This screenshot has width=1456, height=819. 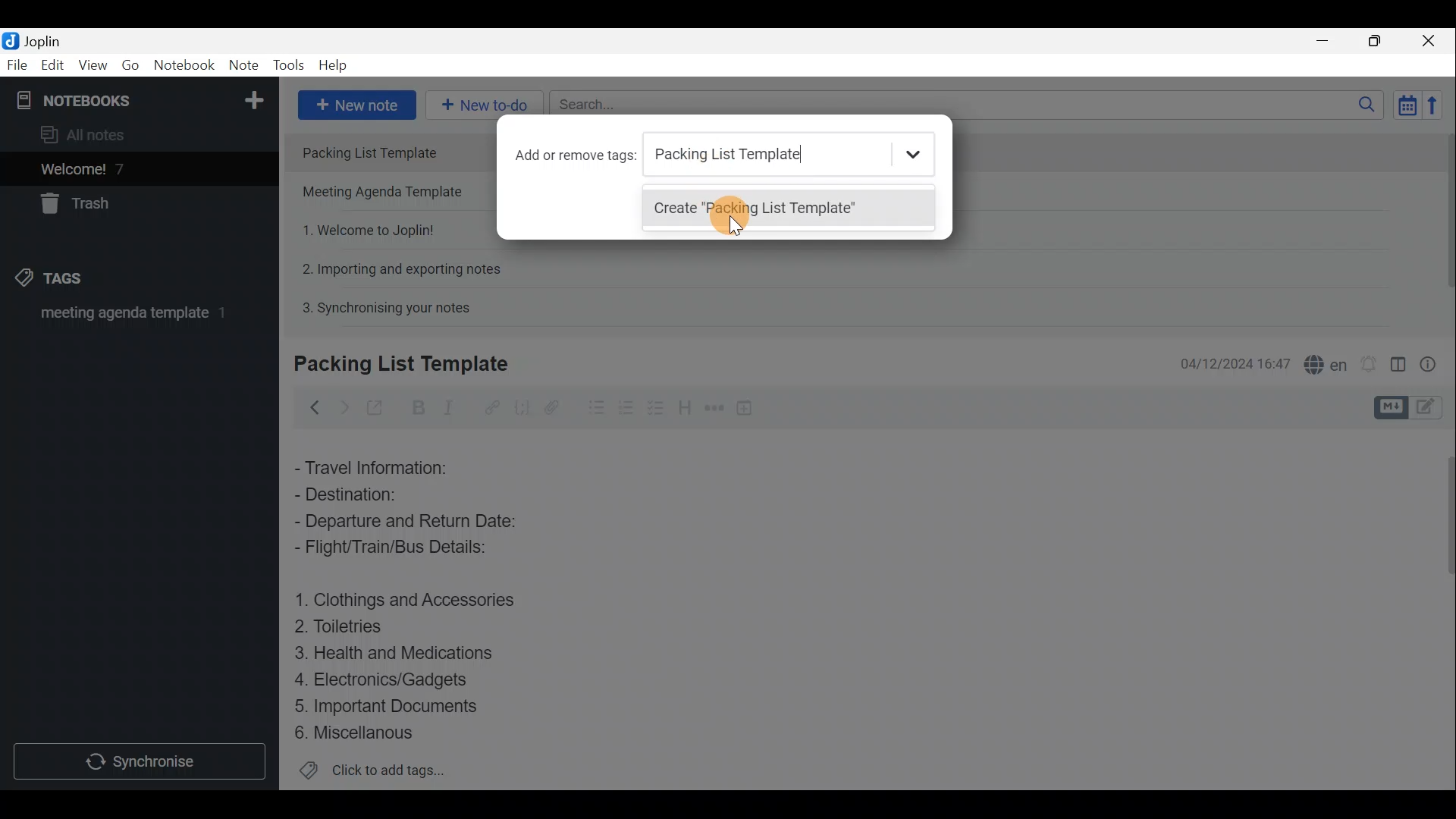 I want to click on Clothings and Accessories, so click(x=408, y=599).